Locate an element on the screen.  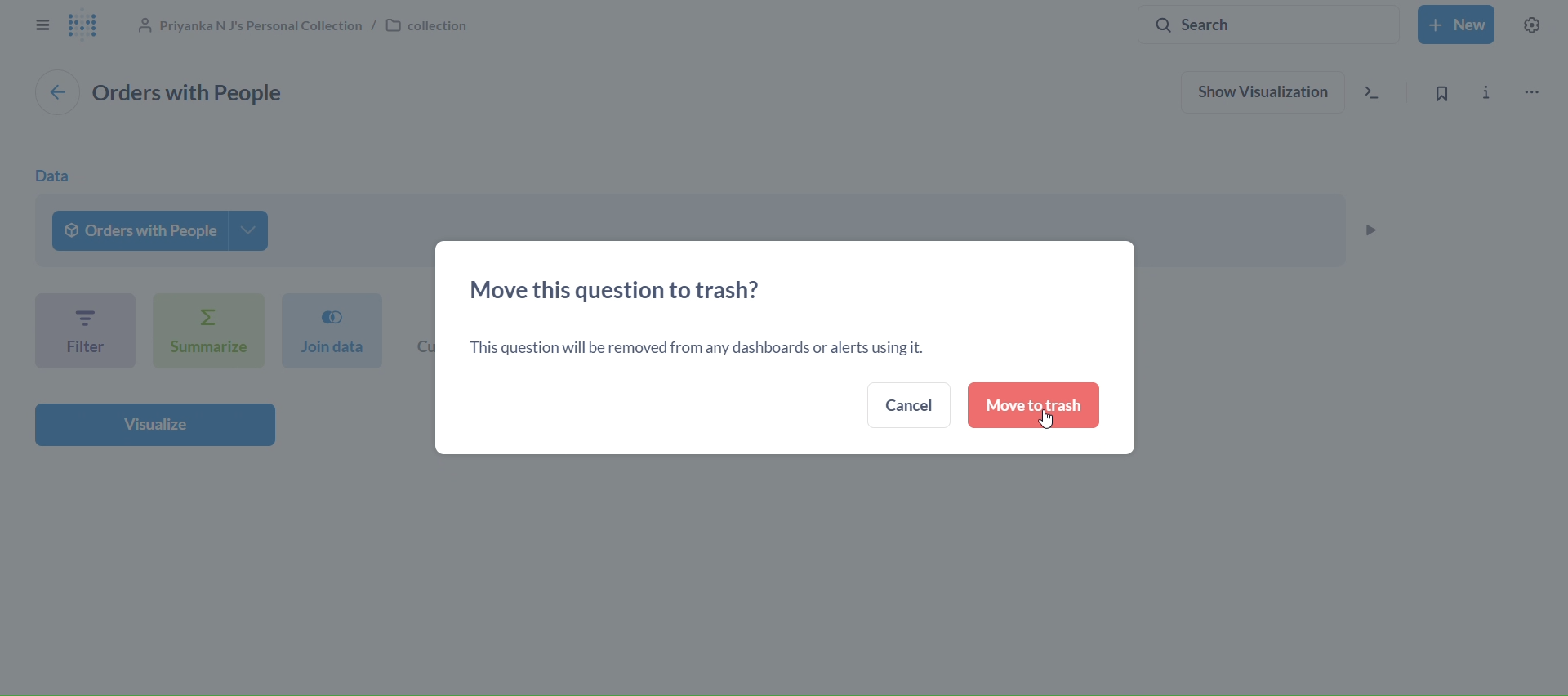
info is located at coordinates (1490, 90).